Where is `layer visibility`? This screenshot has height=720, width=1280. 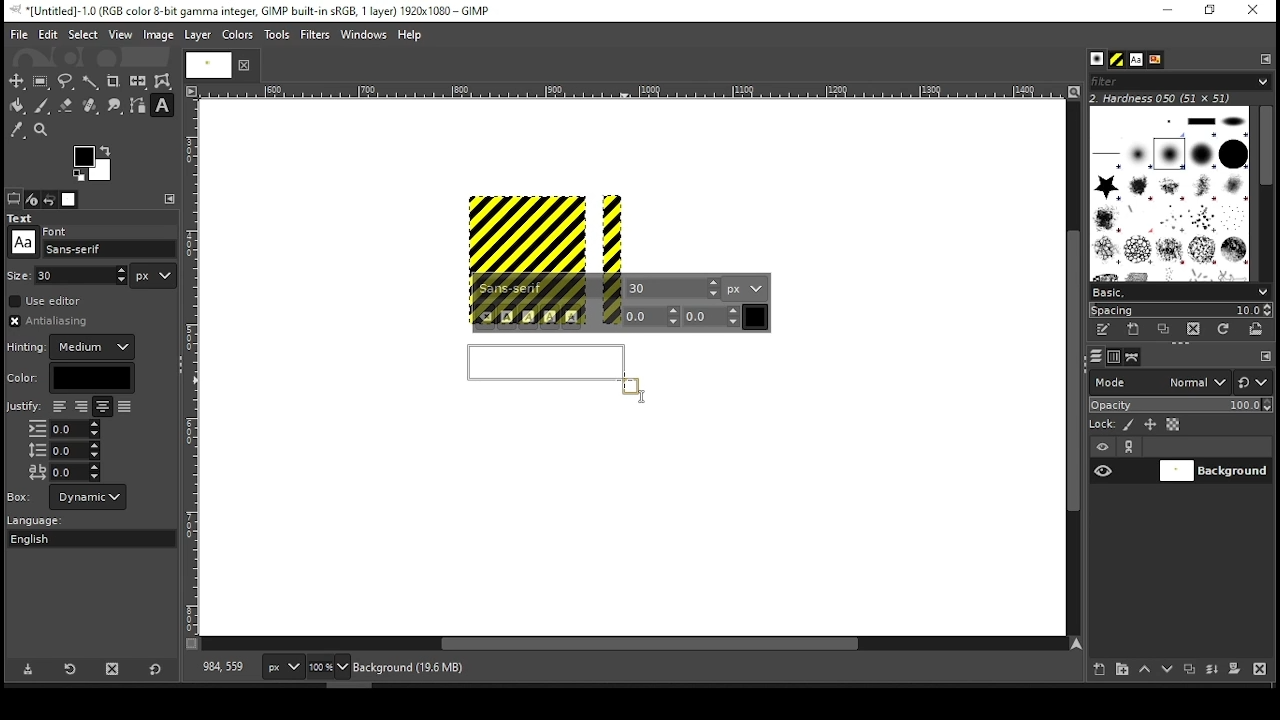
layer visibility is located at coordinates (1103, 447).